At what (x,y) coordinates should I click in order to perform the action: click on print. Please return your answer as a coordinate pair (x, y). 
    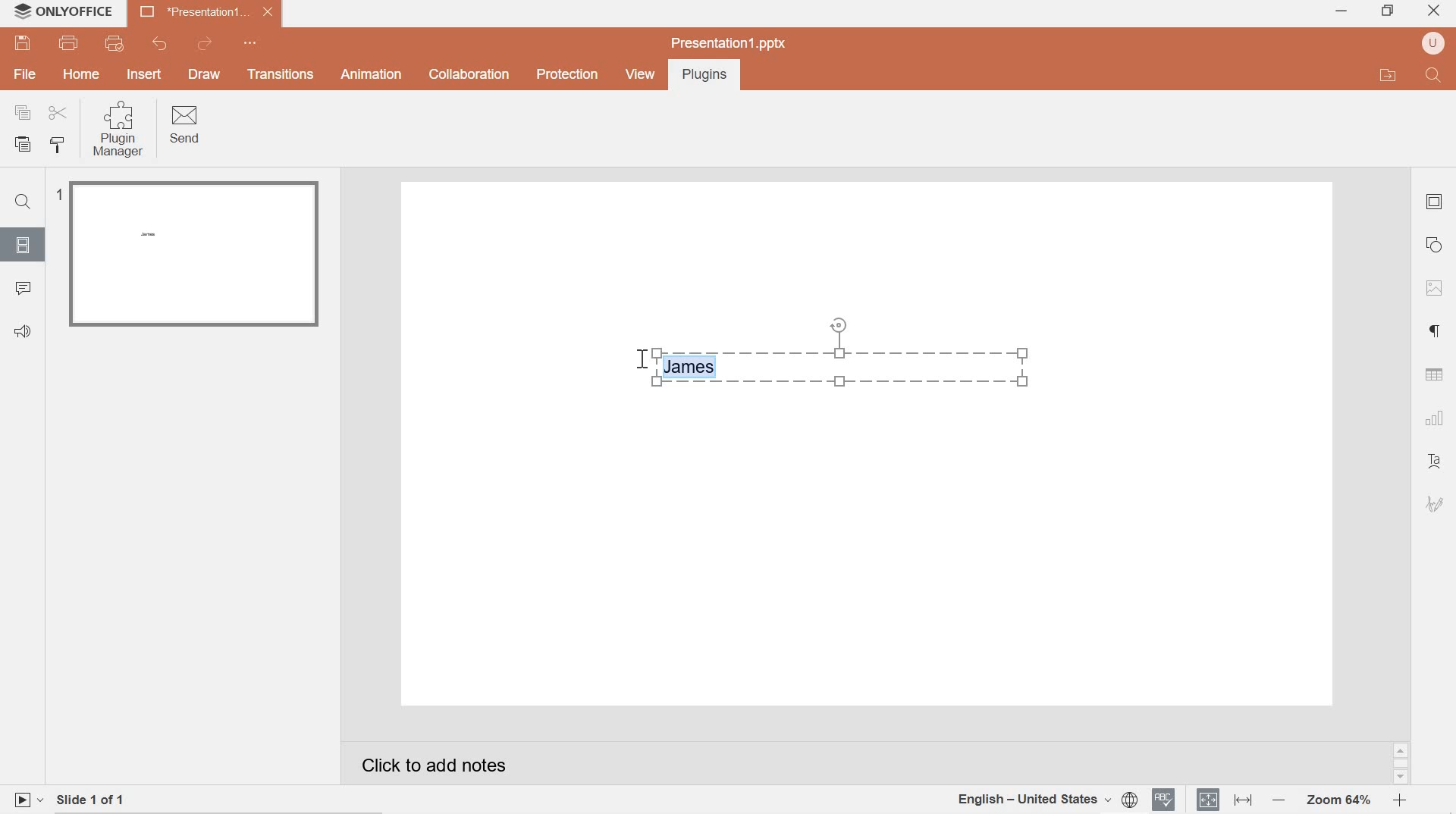
    Looking at the image, I should click on (71, 44).